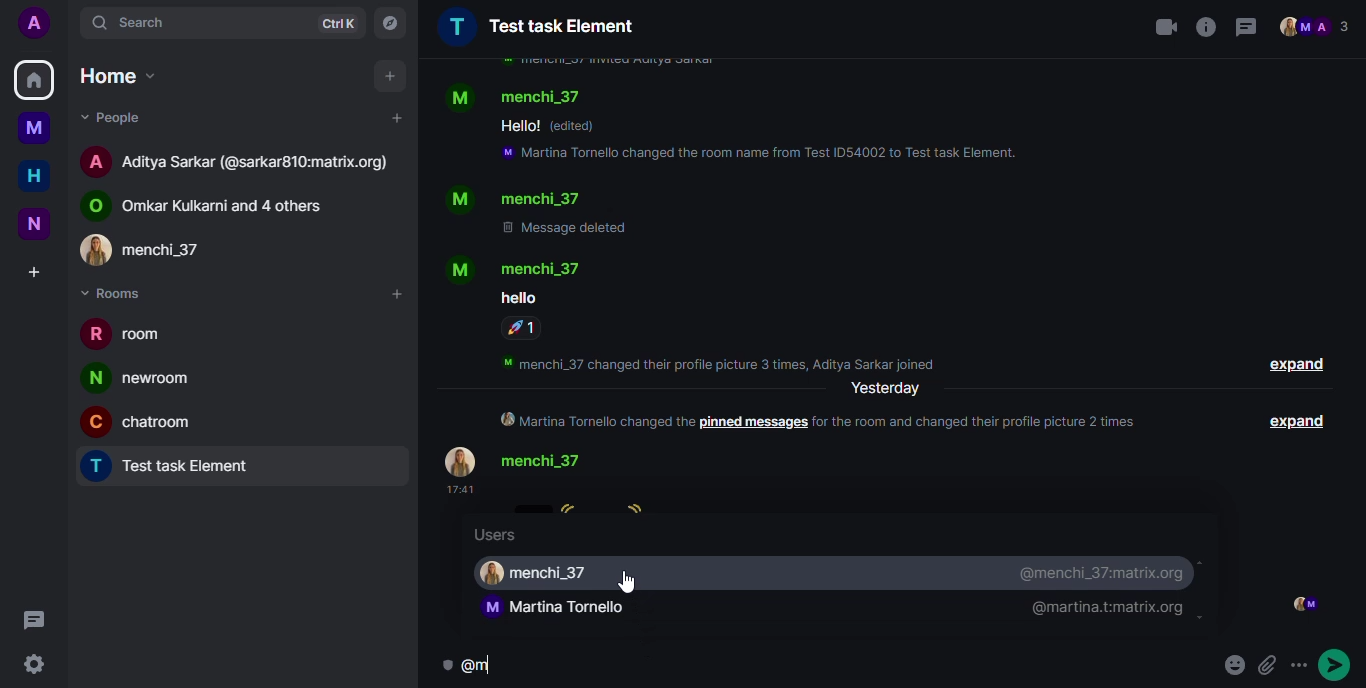 The width and height of the screenshot is (1366, 688). I want to click on people drop down, so click(117, 118).